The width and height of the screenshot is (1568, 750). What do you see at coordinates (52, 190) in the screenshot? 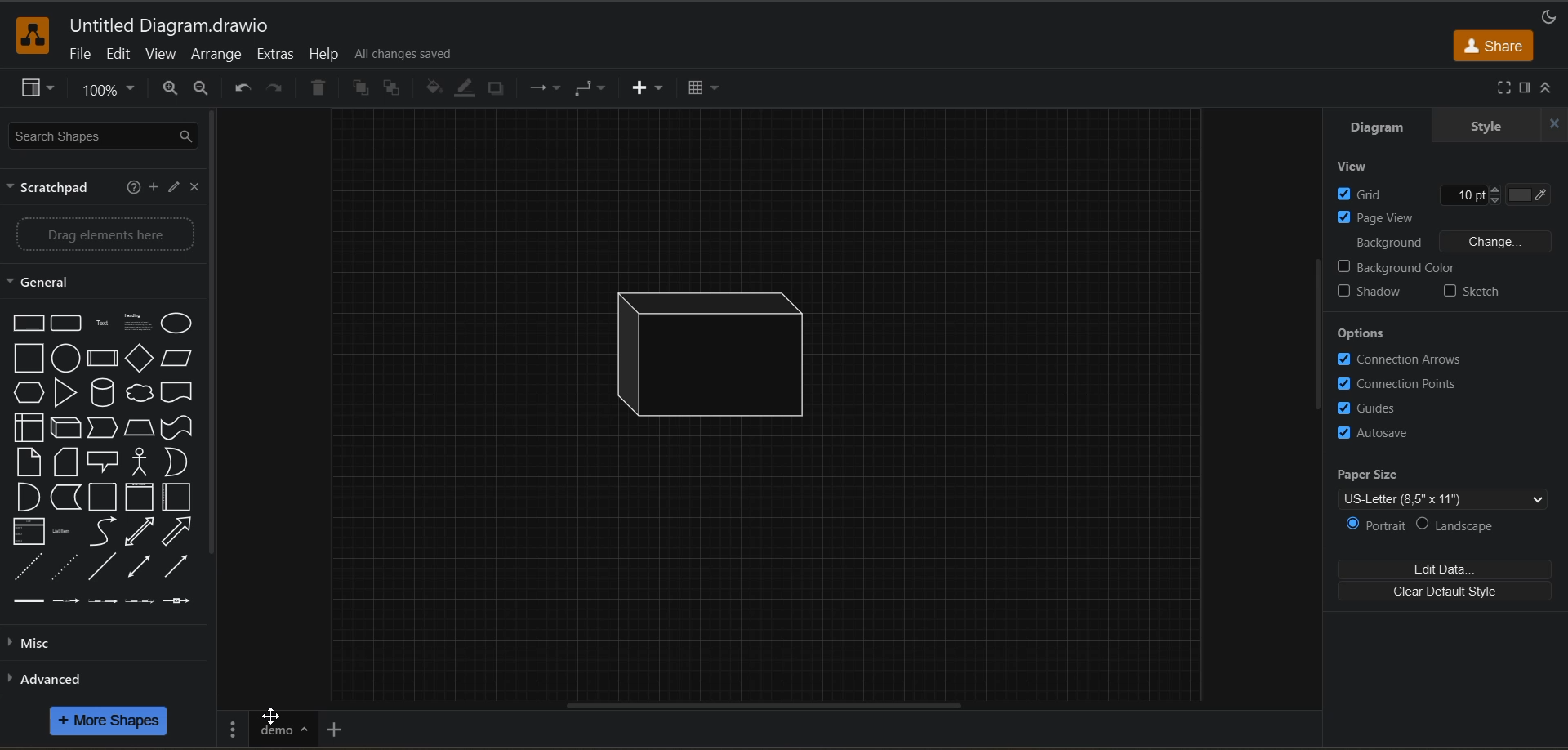
I see `scratch pad` at bounding box center [52, 190].